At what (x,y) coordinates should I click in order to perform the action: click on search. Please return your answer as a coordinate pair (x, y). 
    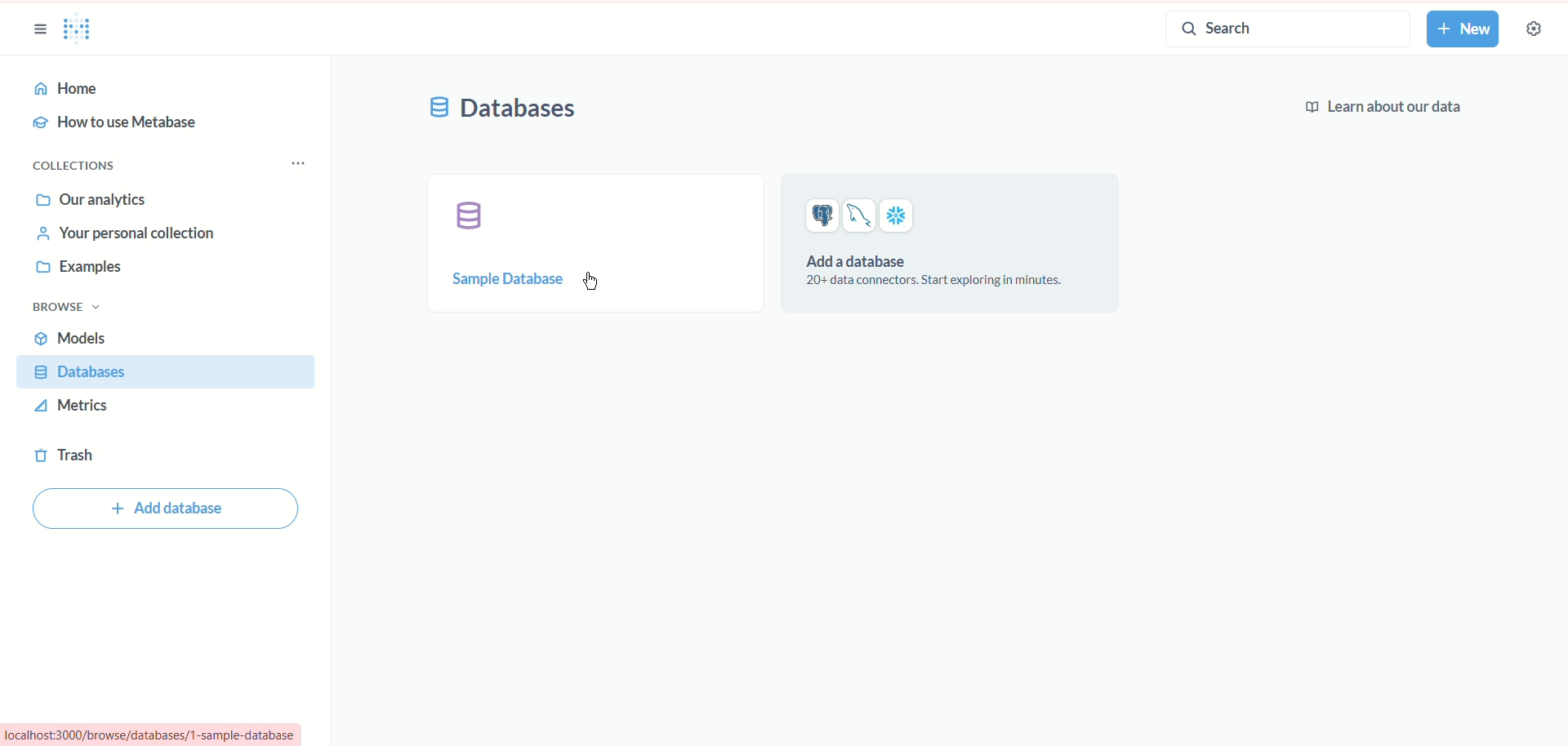
    Looking at the image, I should click on (1285, 31).